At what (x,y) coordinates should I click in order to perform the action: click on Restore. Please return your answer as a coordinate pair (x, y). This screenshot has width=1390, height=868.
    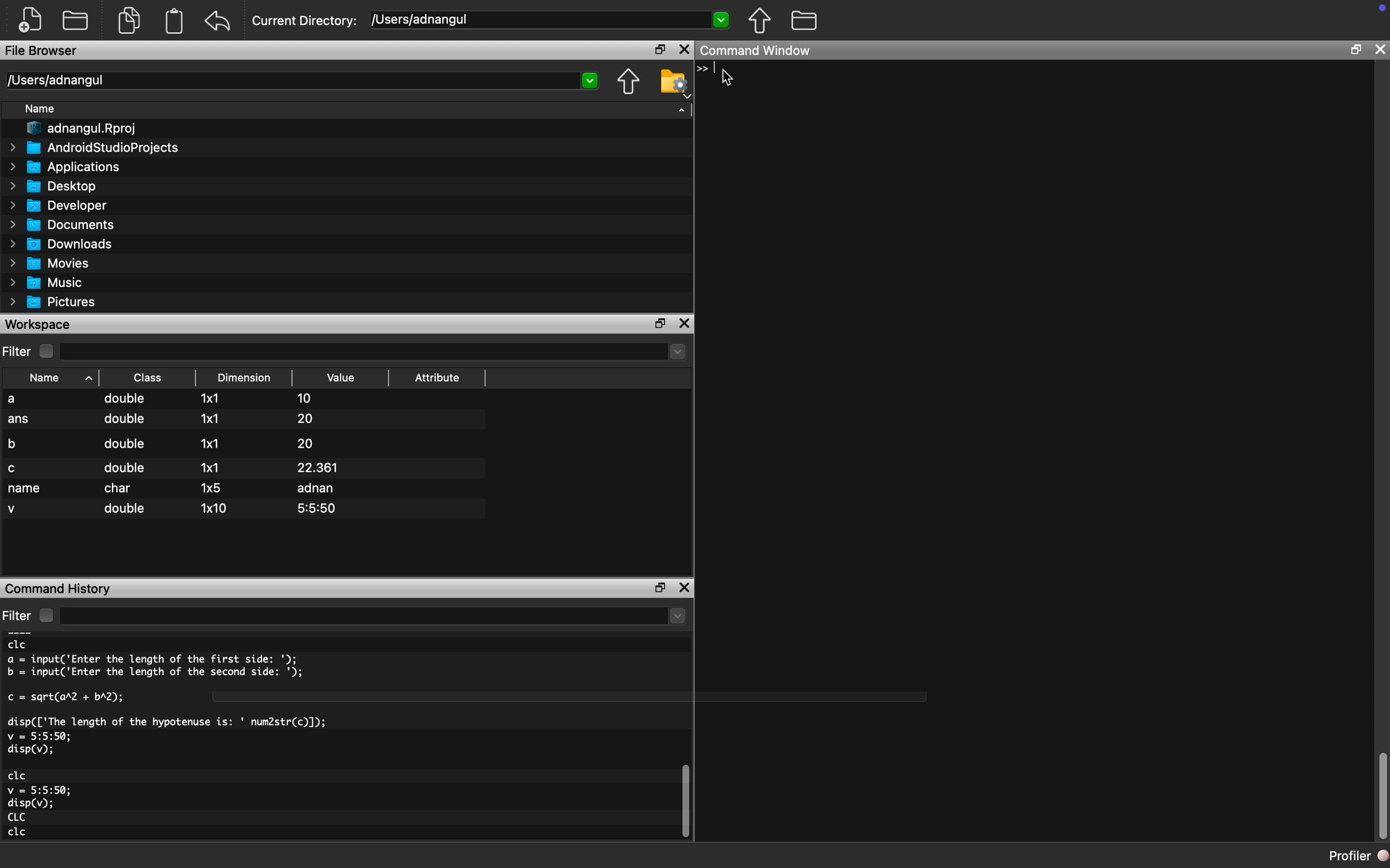
    Looking at the image, I should click on (655, 586).